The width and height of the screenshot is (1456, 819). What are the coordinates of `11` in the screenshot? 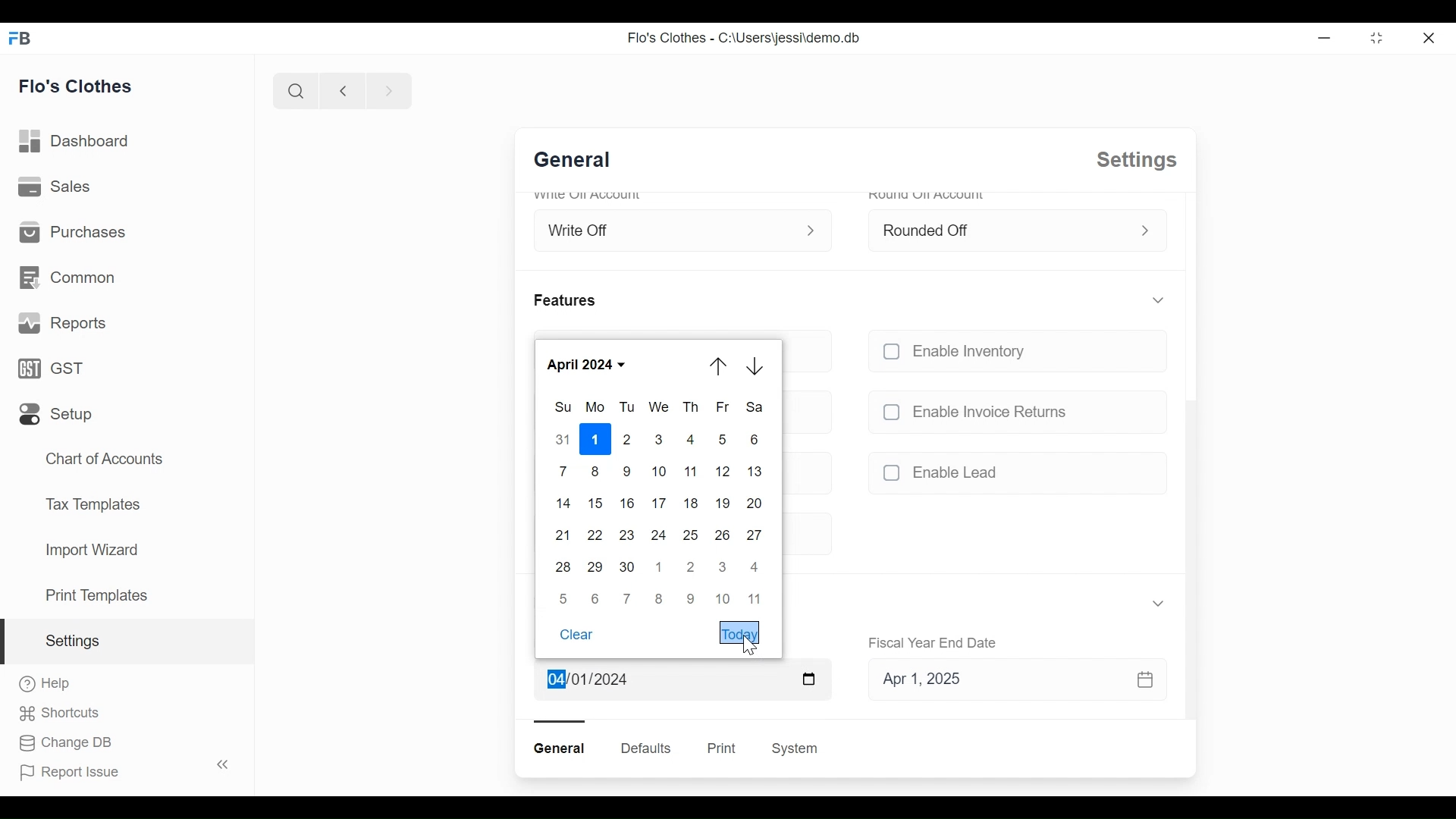 It's located at (692, 471).